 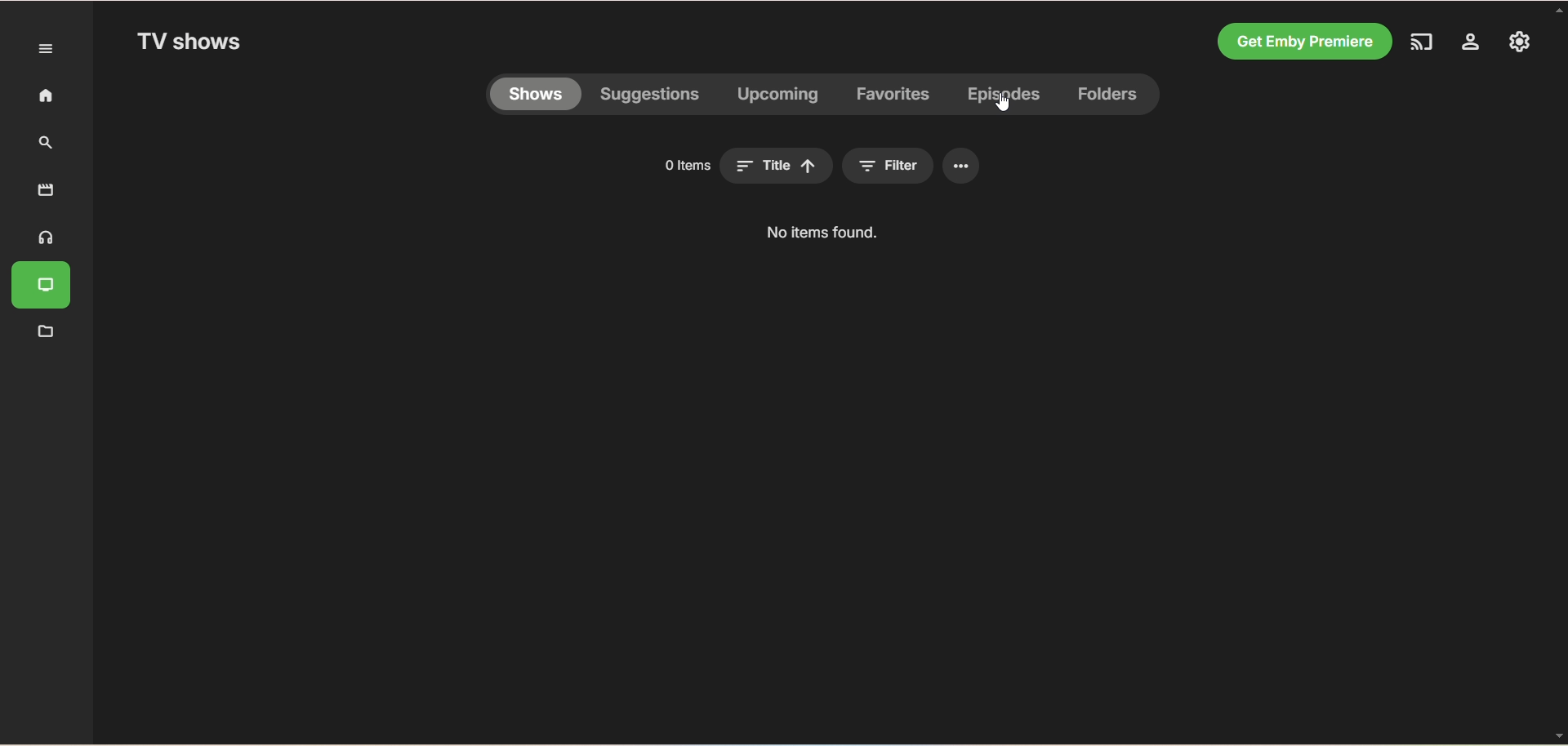 What do you see at coordinates (1005, 107) in the screenshot?
I see `cursor` at bounding box center [1005, 107].